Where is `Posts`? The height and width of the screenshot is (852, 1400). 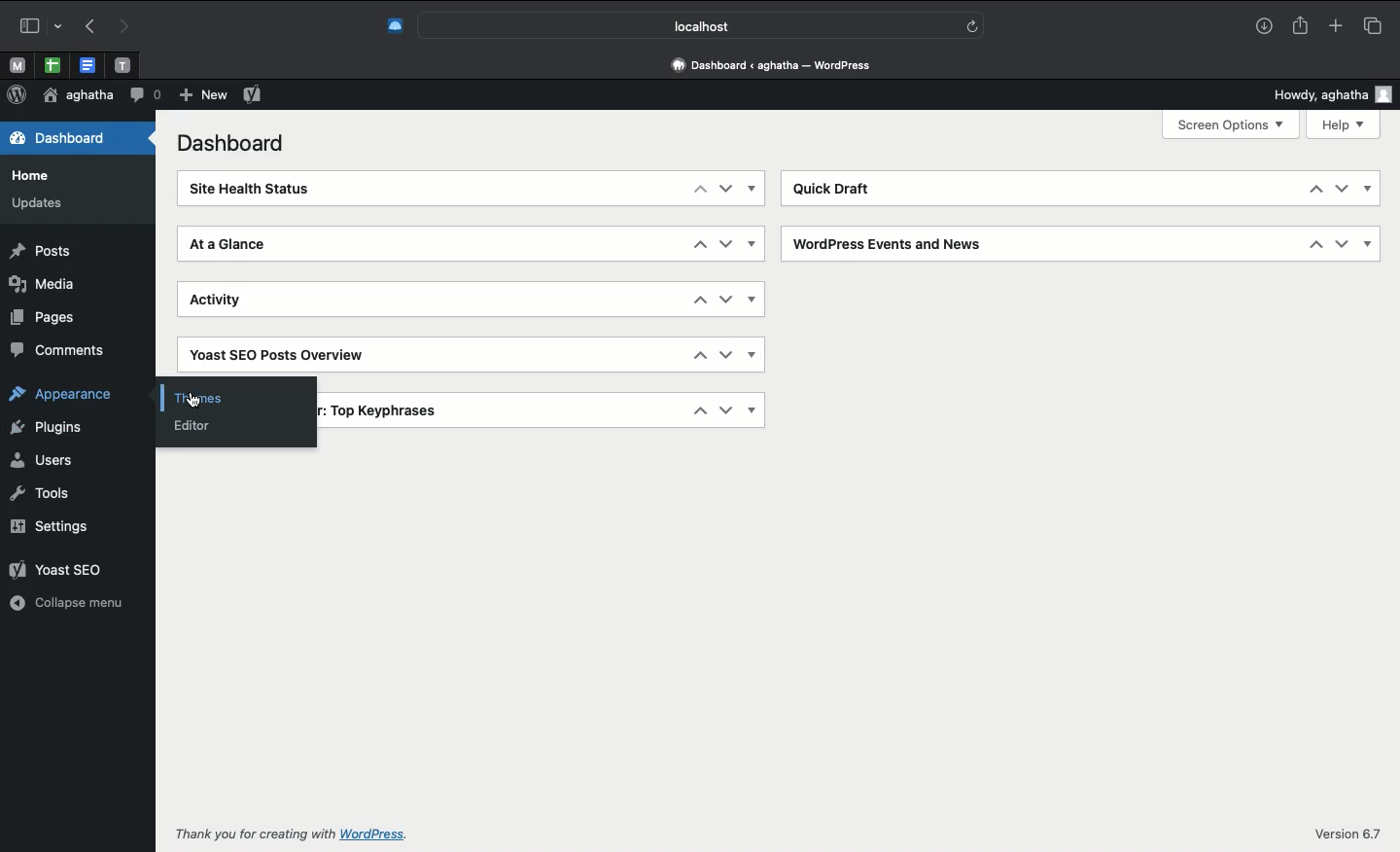
Posts is located at coordinates (45, 251).